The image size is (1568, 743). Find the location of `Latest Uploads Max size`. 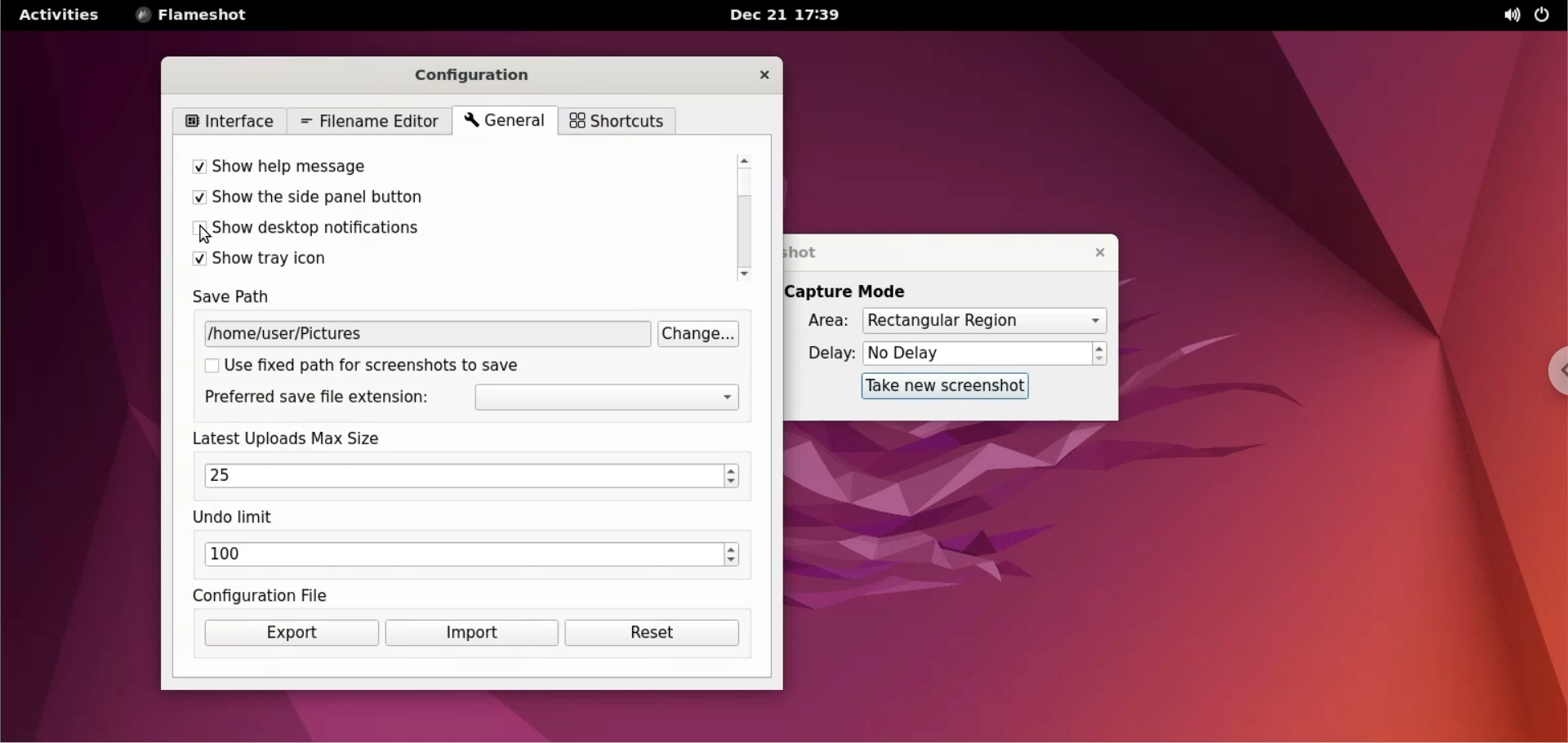

Latest Uploads Max size is located at coordinates (305, 438).